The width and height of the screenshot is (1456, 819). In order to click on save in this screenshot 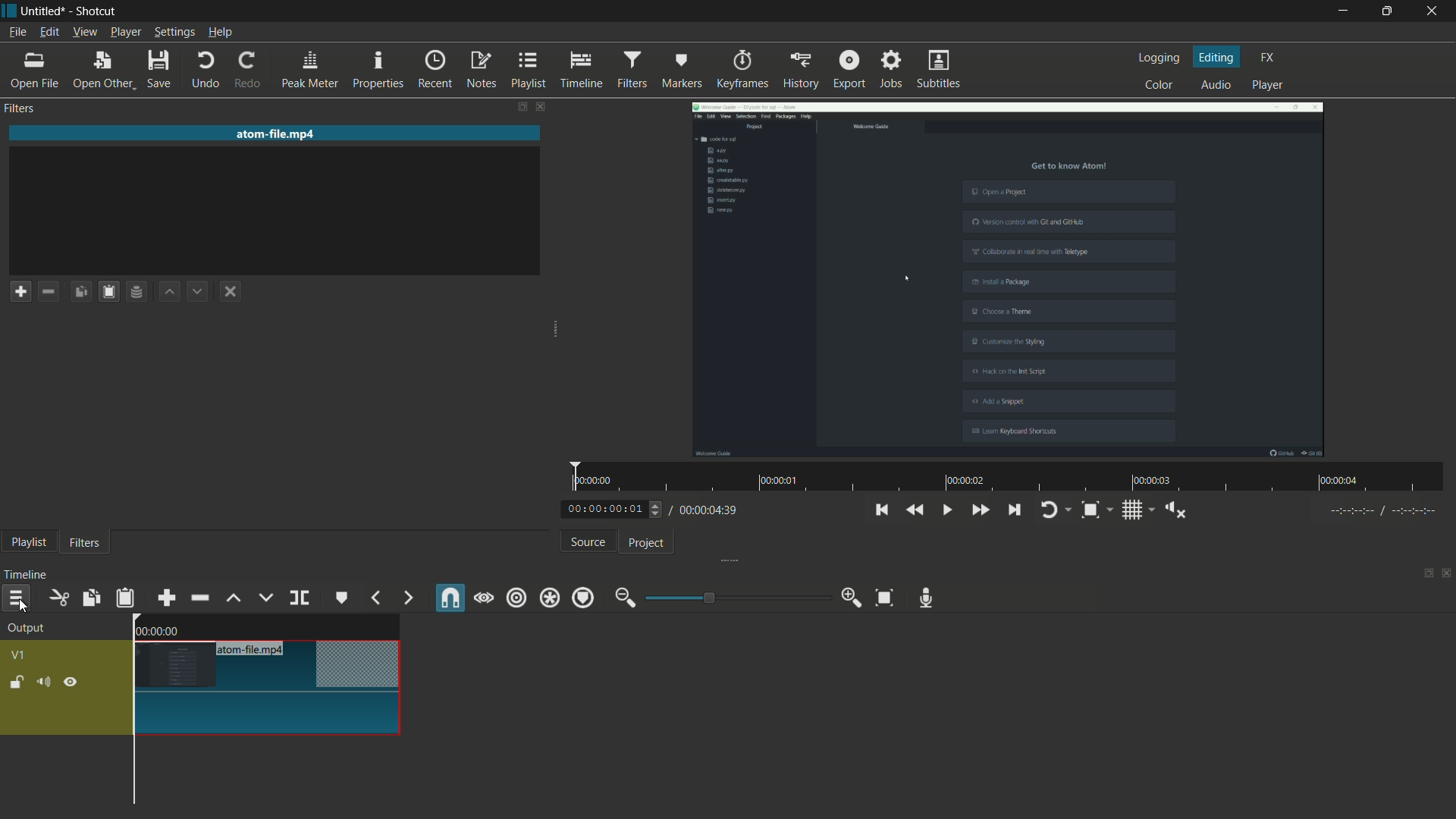, I will do `click(160, 71)`.